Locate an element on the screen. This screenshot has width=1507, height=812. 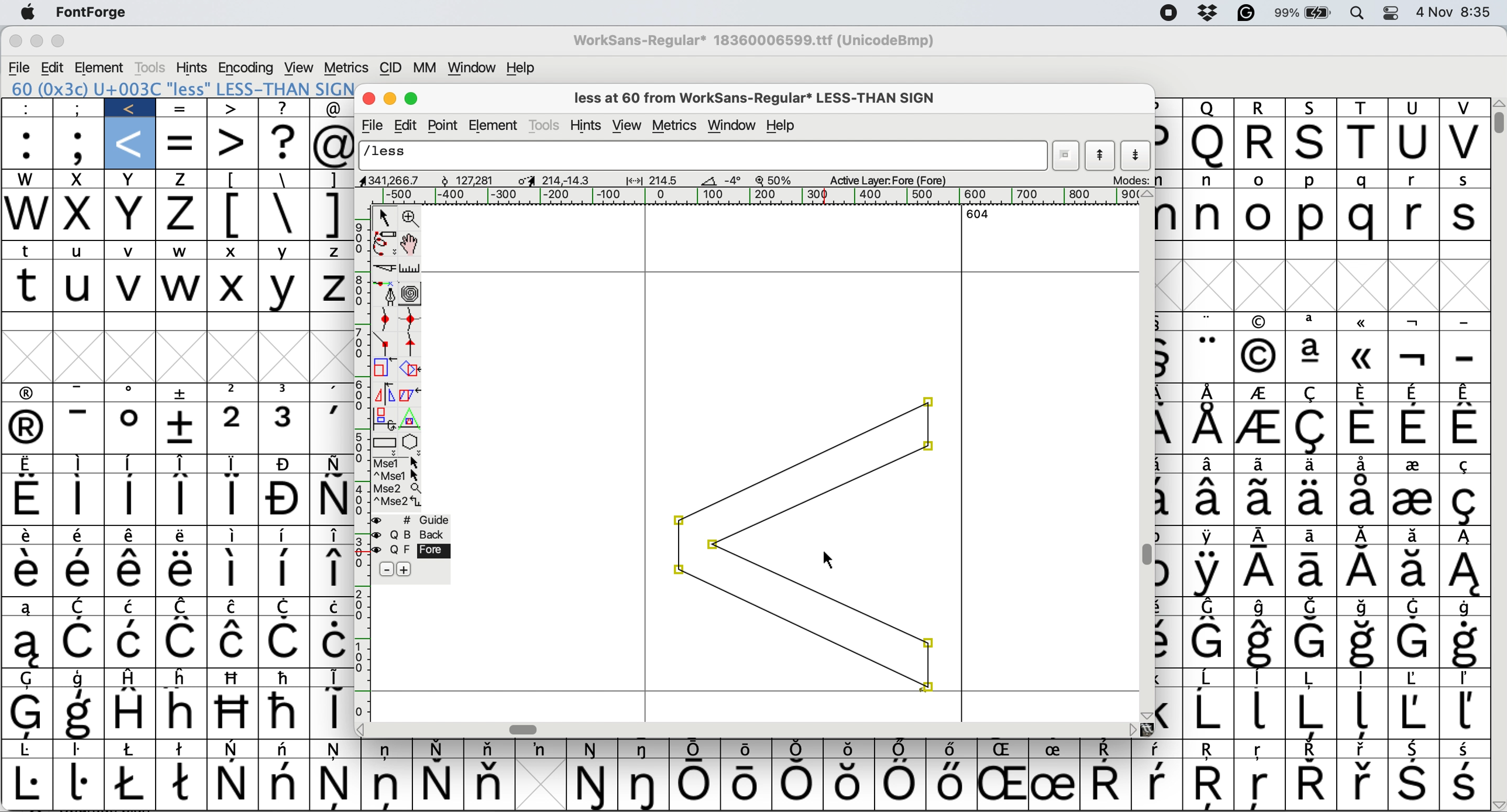
Symbol is located at coordinates (1464, 429).